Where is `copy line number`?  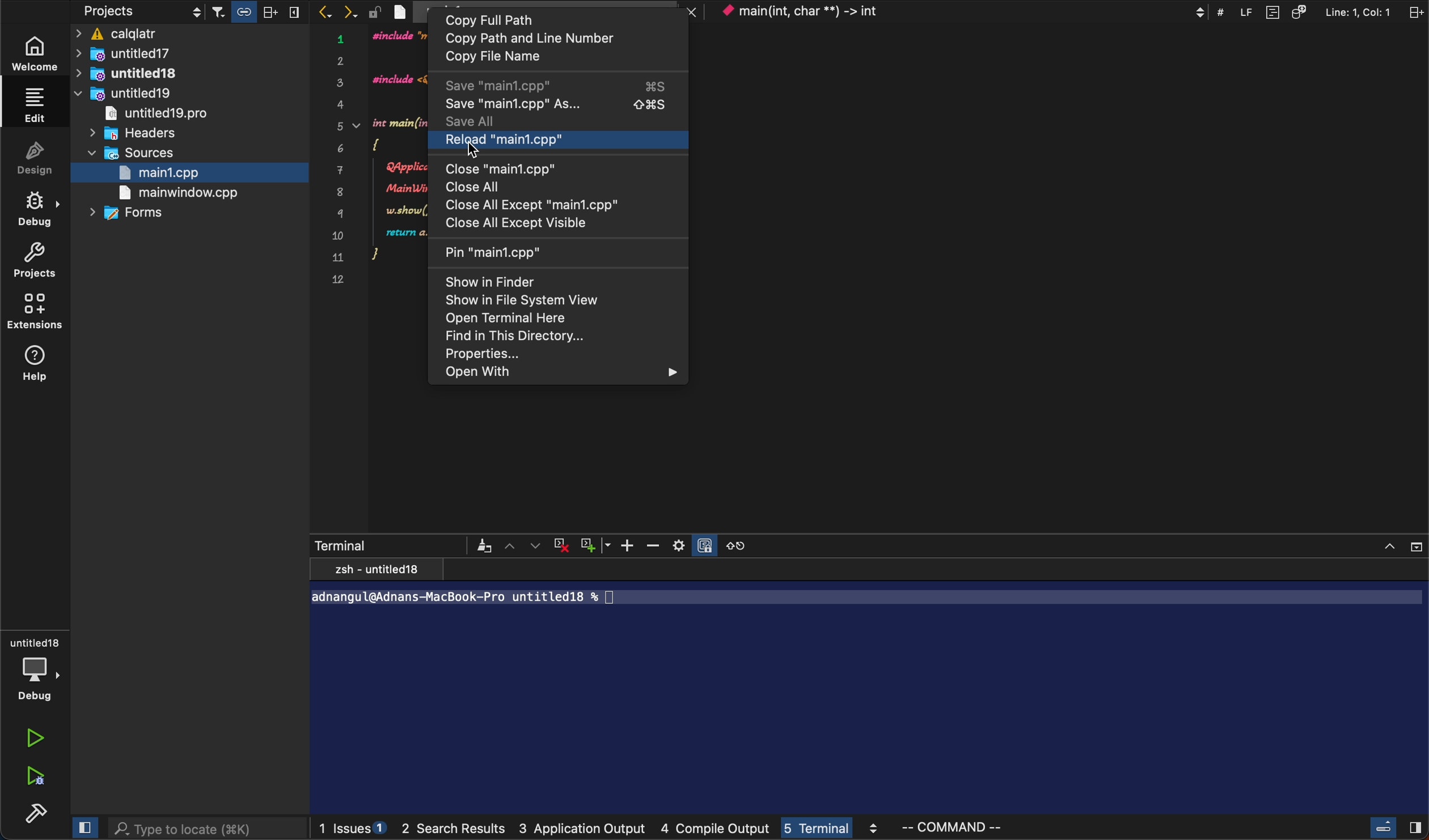
copy line number is located at coordinates (558, 39).